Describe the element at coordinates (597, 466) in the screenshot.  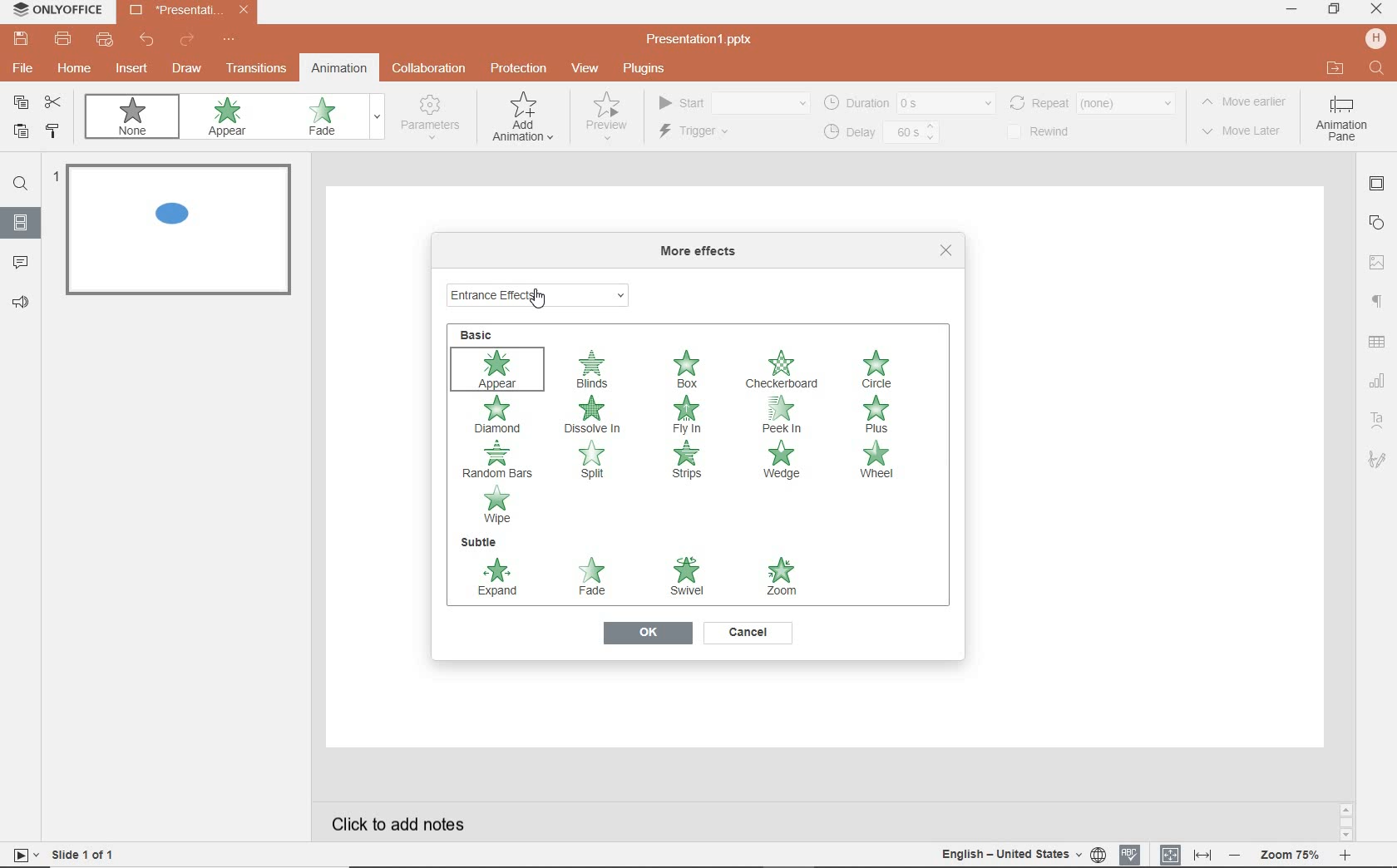
I see `SPLIT` at that location.